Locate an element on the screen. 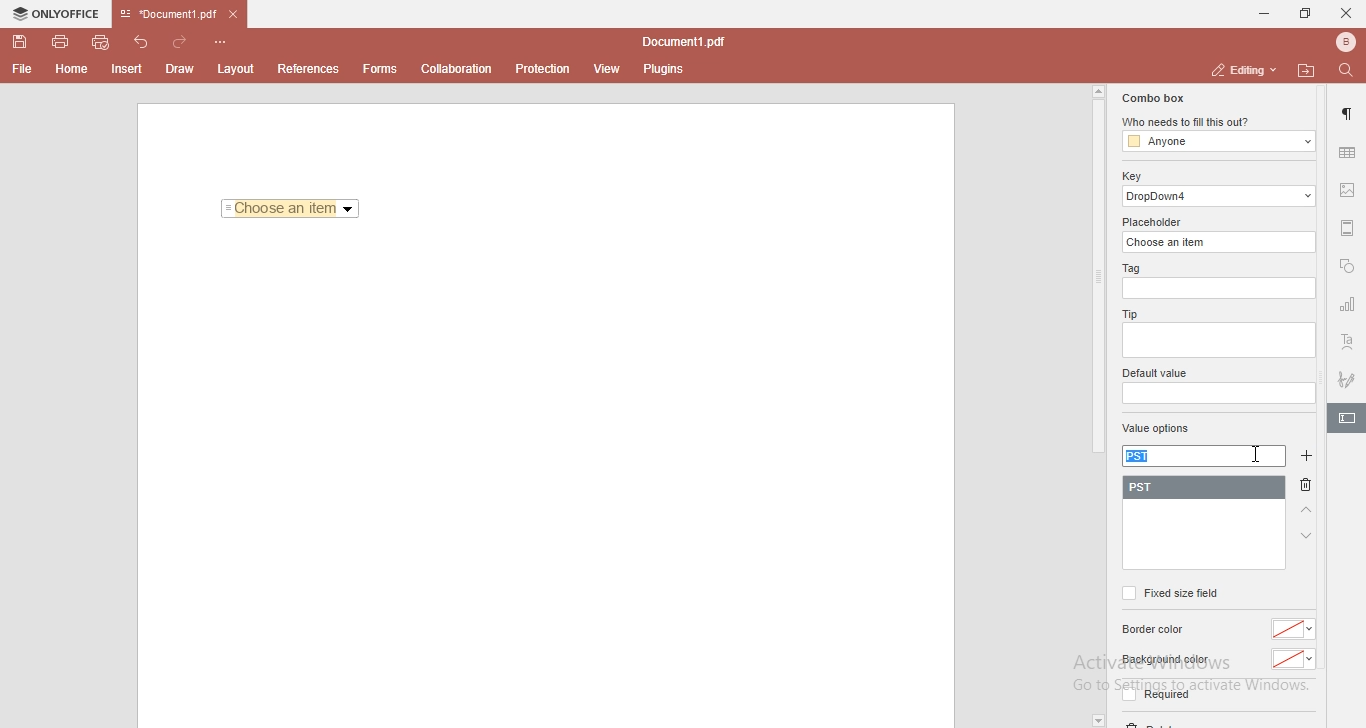  file name is located at coordinates (688, 43).